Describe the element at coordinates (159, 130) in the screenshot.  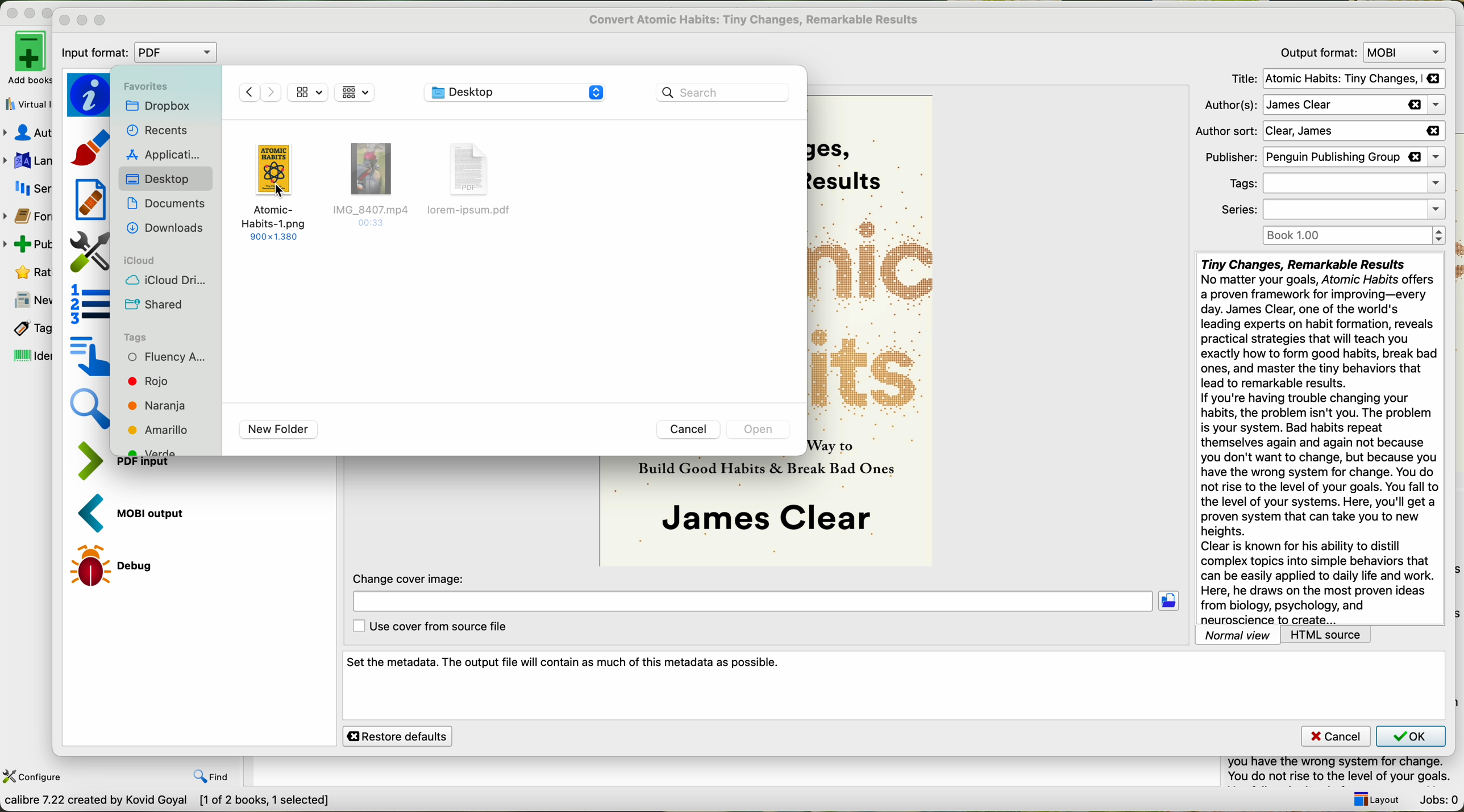
I see `recents` at that location.